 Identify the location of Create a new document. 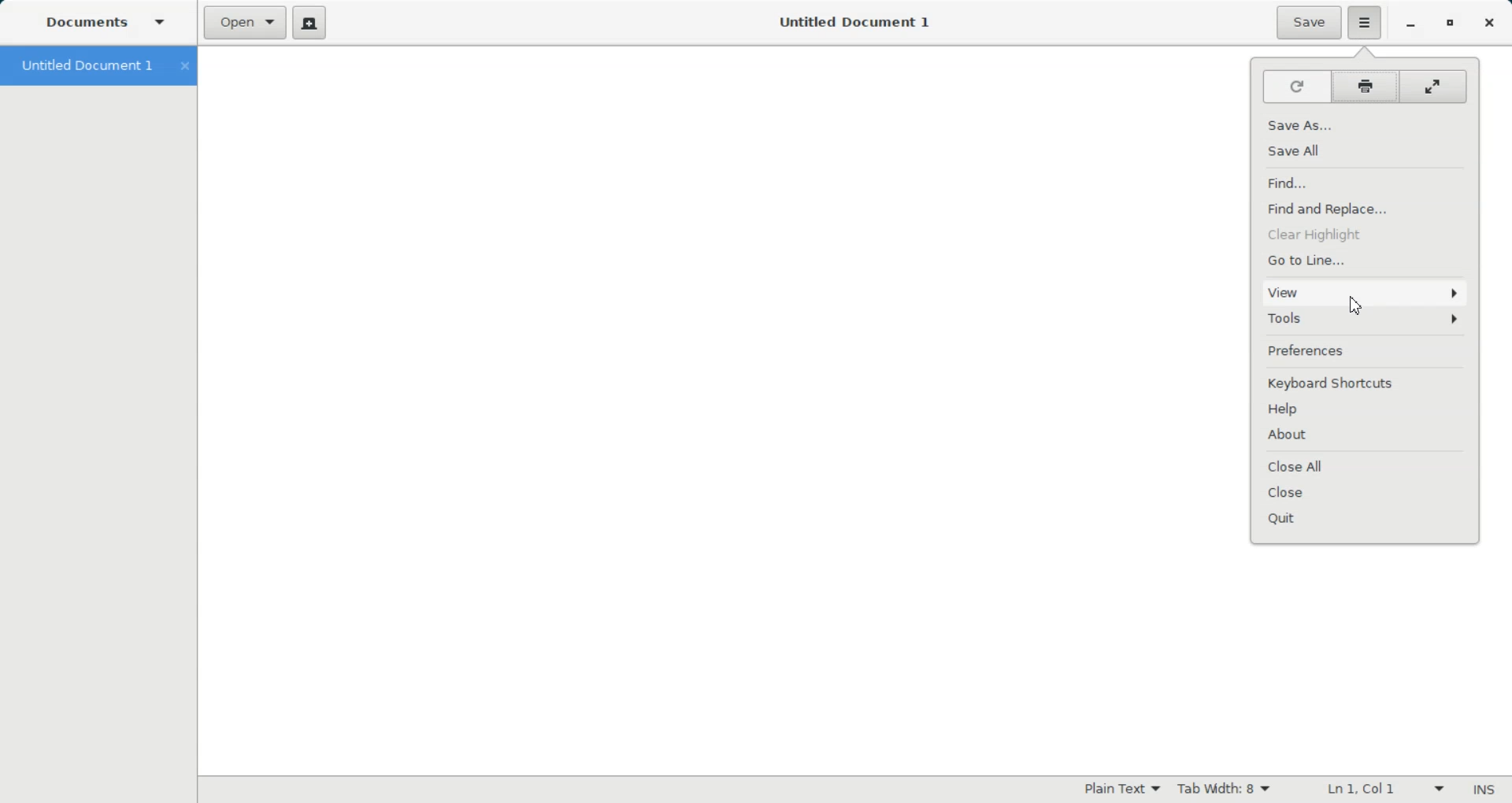
(310, 21).